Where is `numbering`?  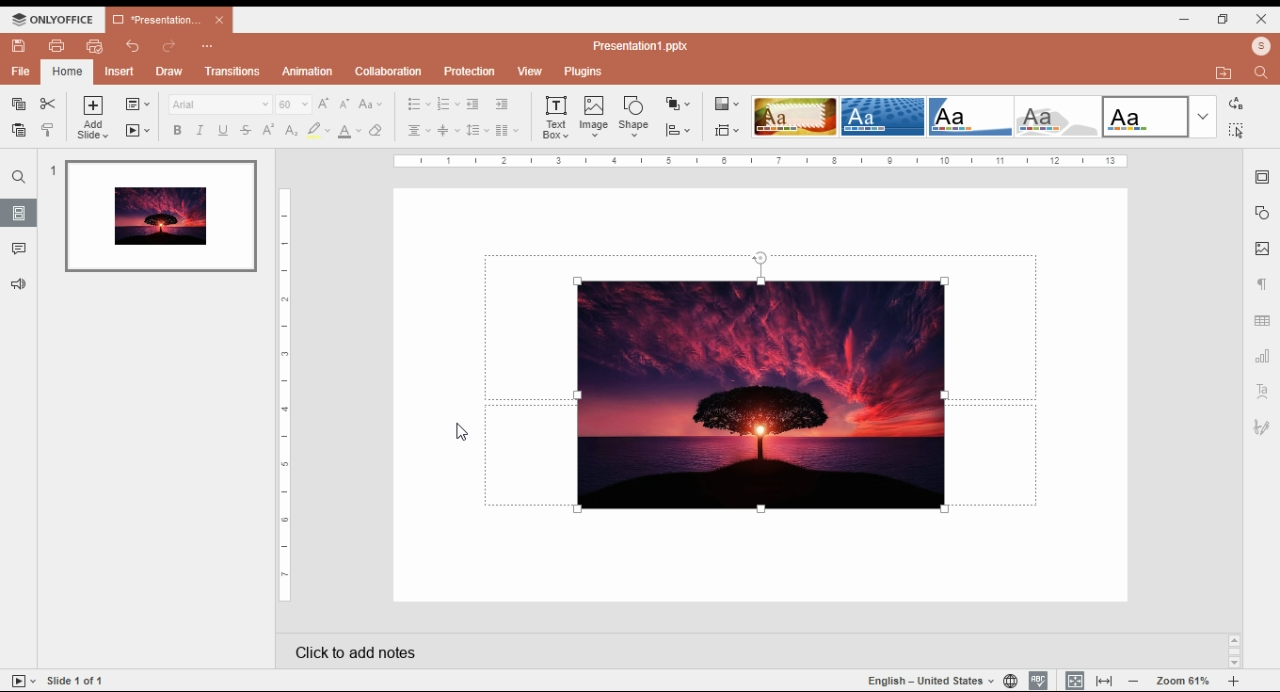 numbering is located at coordinates (447, 104).